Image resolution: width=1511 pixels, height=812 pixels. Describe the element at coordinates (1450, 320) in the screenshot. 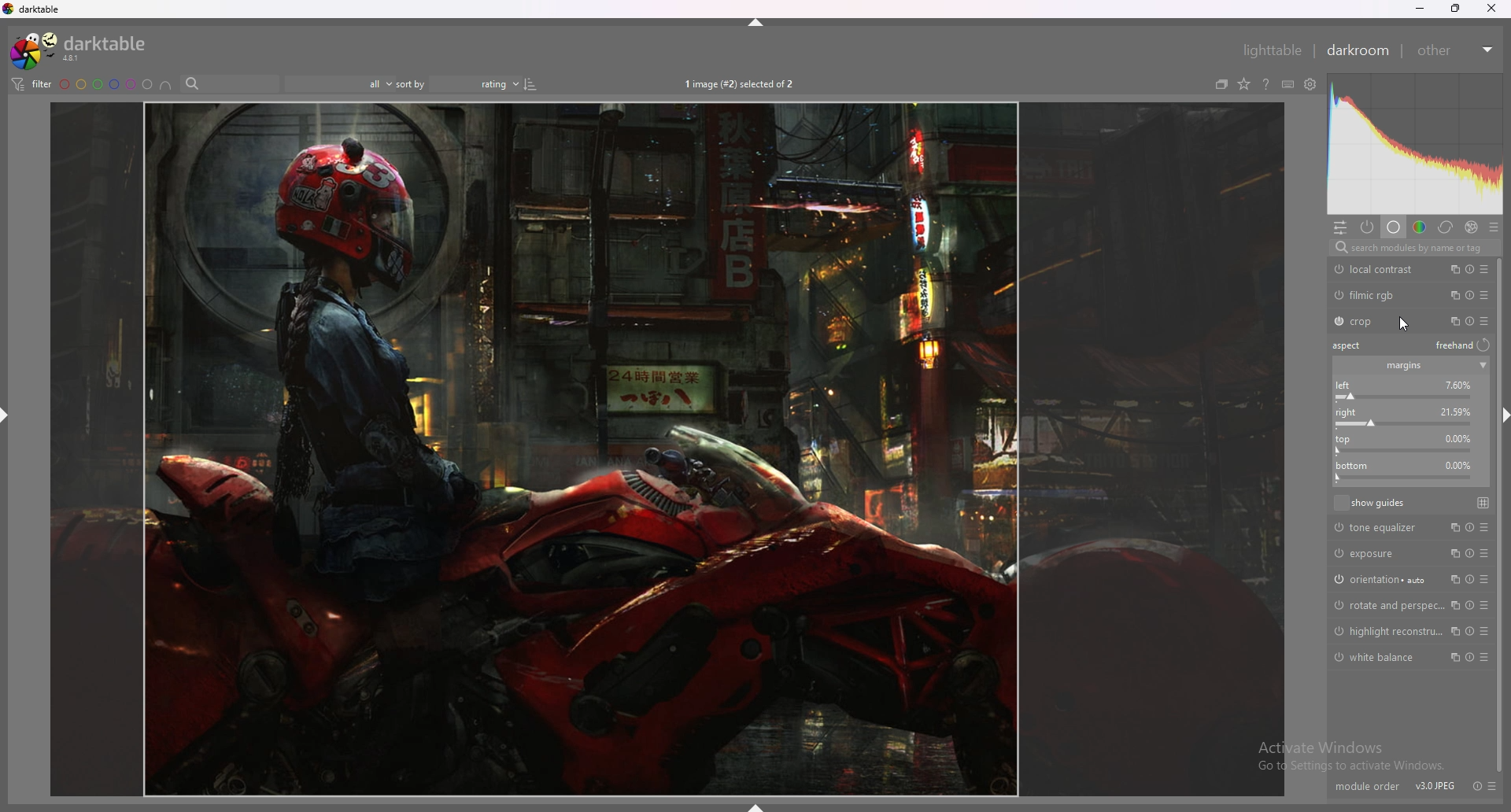

I see `multiple instances action` at that location.